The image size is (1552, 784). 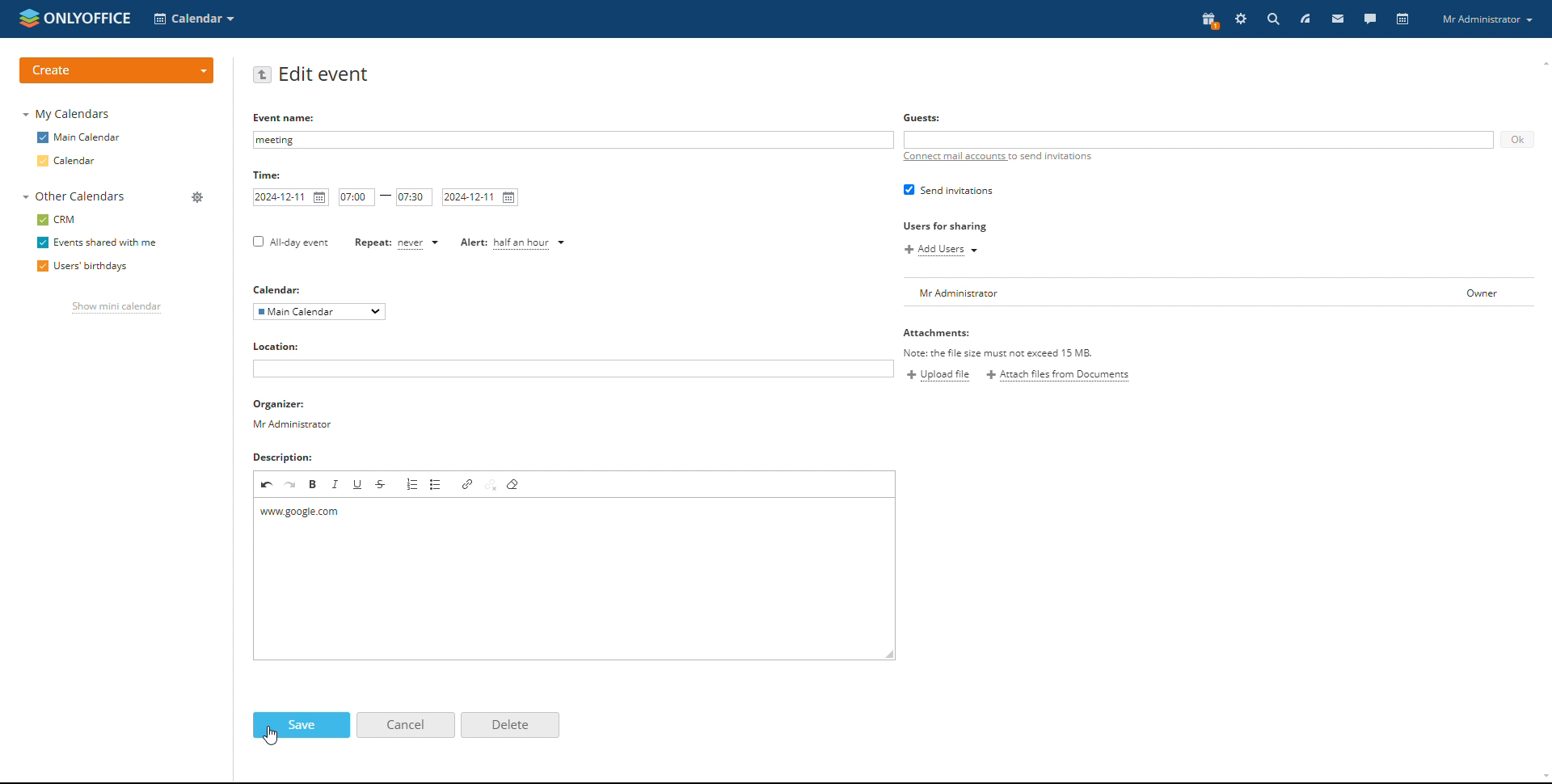 What do you see at coordinates (382, 485) in the screenshot?
I see `strikethrough` at bounding box center [382, 485].